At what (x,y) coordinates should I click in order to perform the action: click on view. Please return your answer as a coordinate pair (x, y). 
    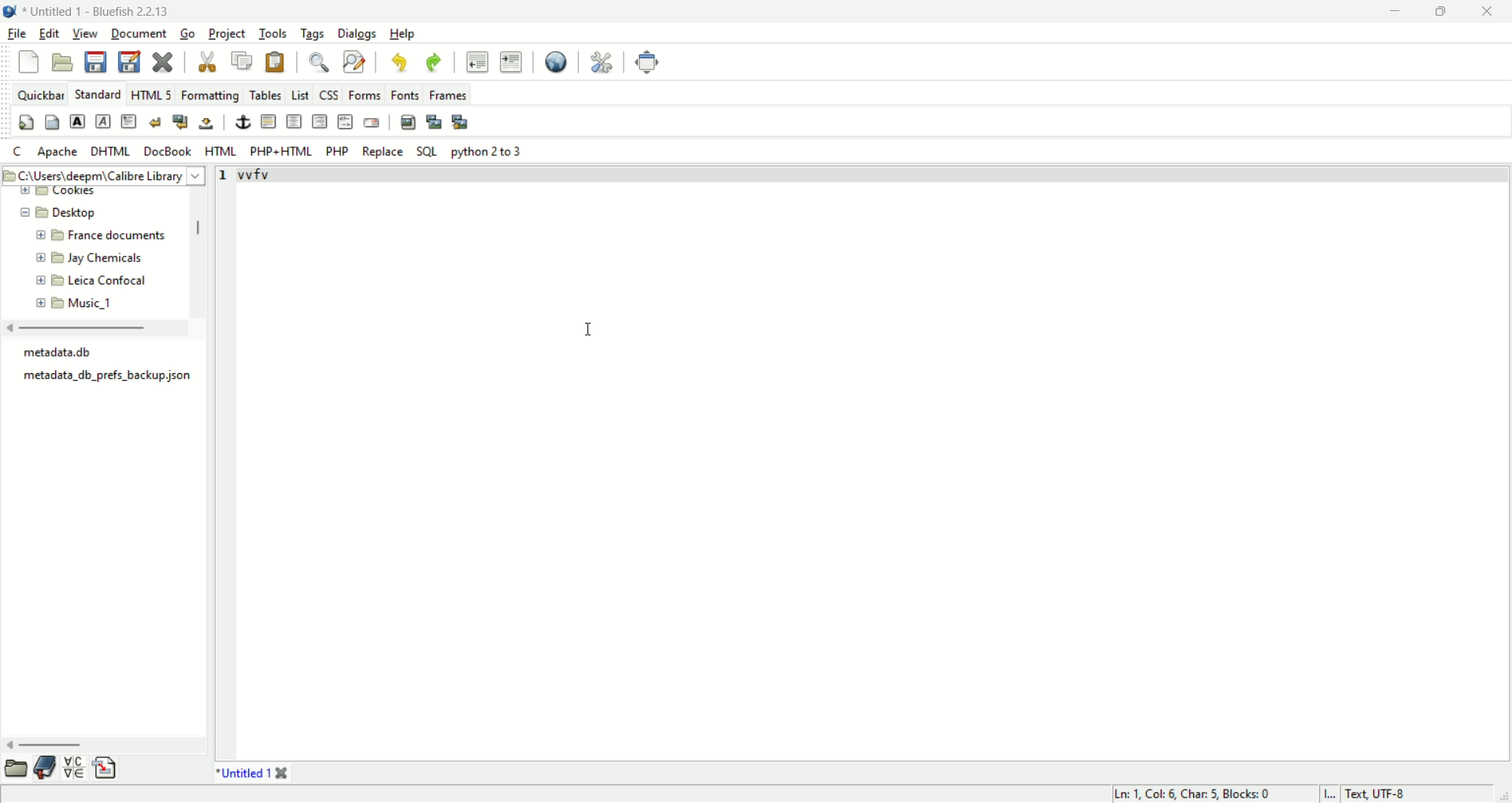
    Looking at the image, I should click on (83, 33).